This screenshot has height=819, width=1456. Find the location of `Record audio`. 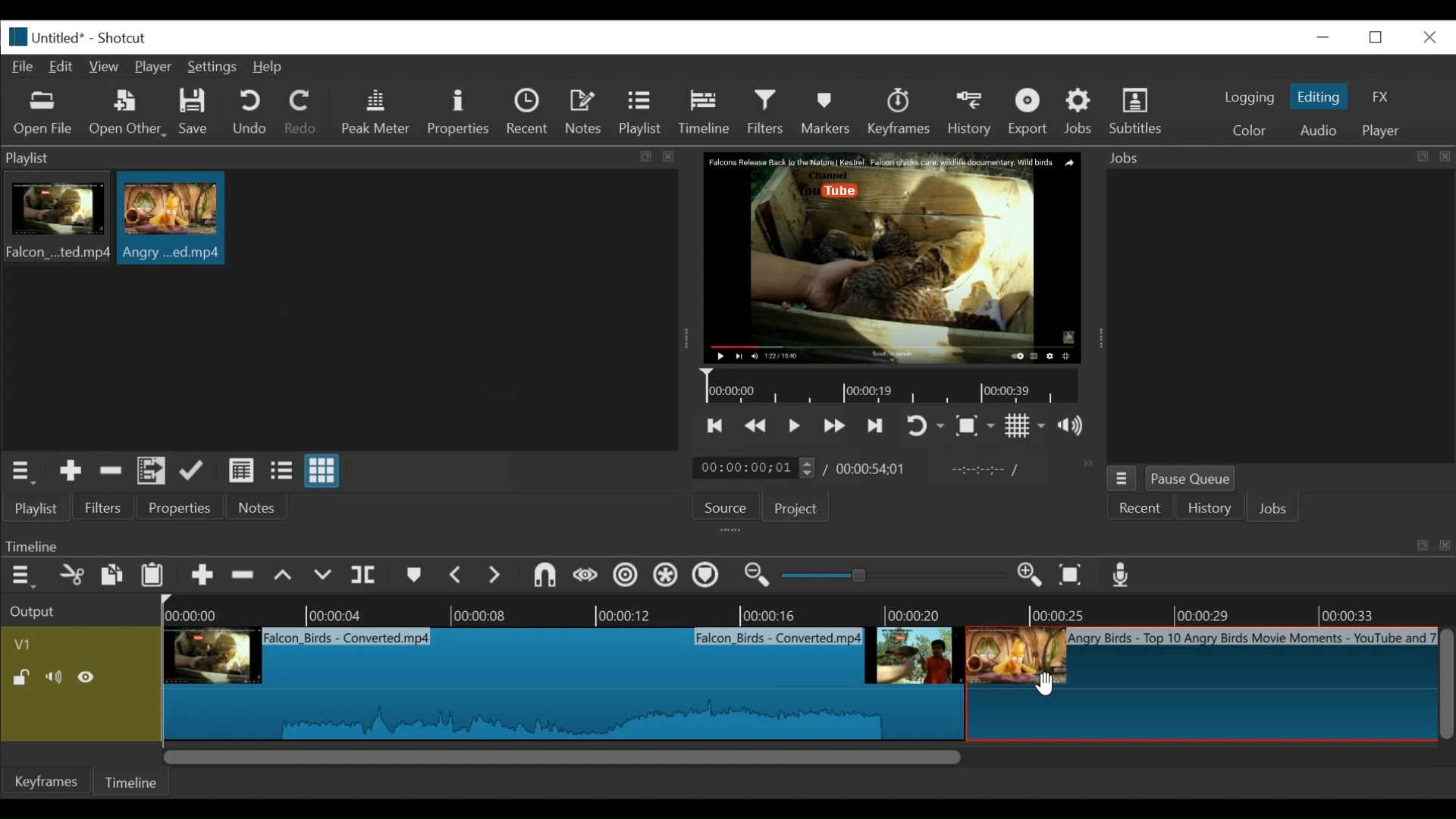

Record audio is located at coordinates (1122, 579).